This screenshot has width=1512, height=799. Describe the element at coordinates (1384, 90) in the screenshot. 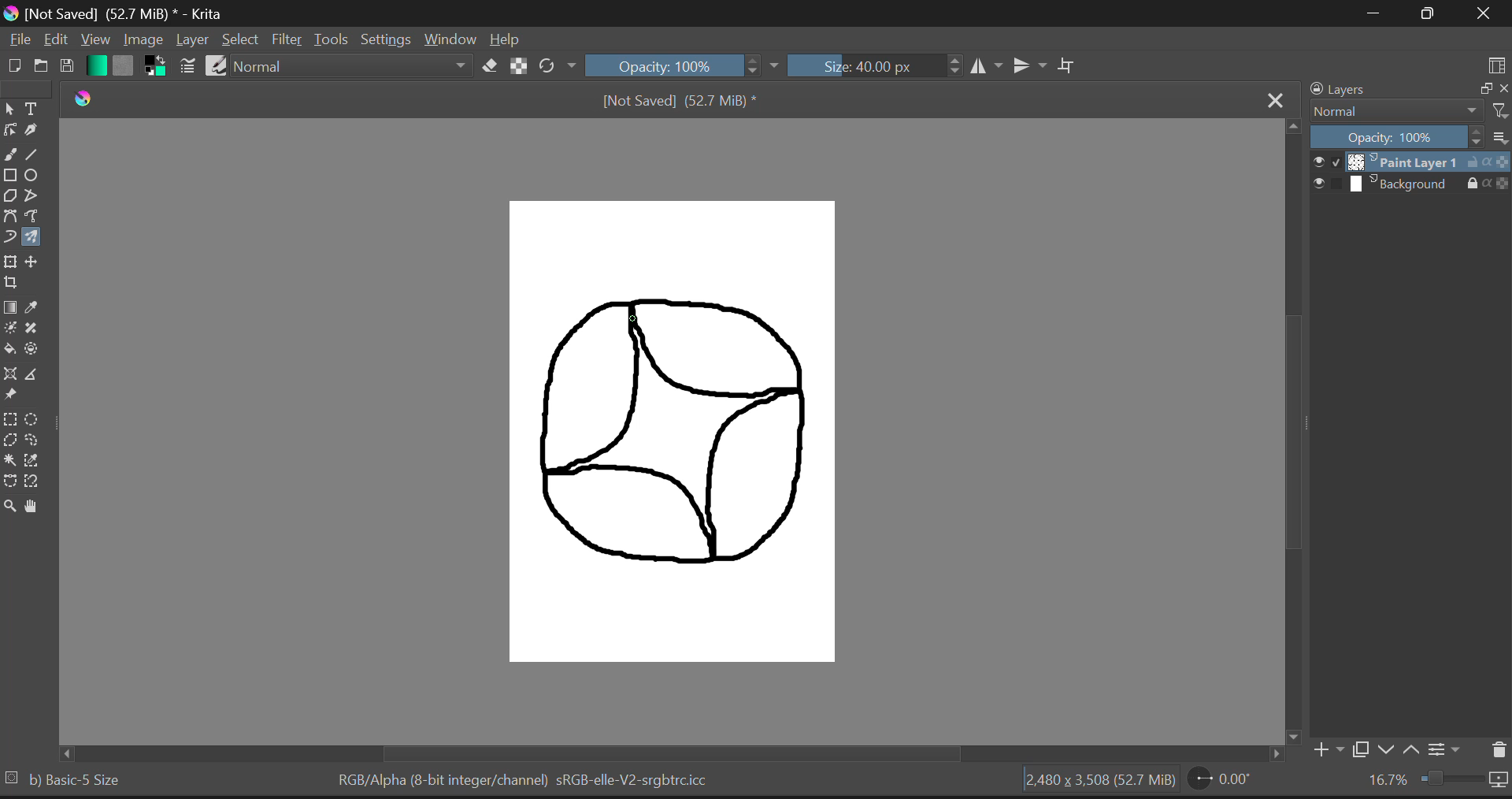

I see `Layers` at that location.